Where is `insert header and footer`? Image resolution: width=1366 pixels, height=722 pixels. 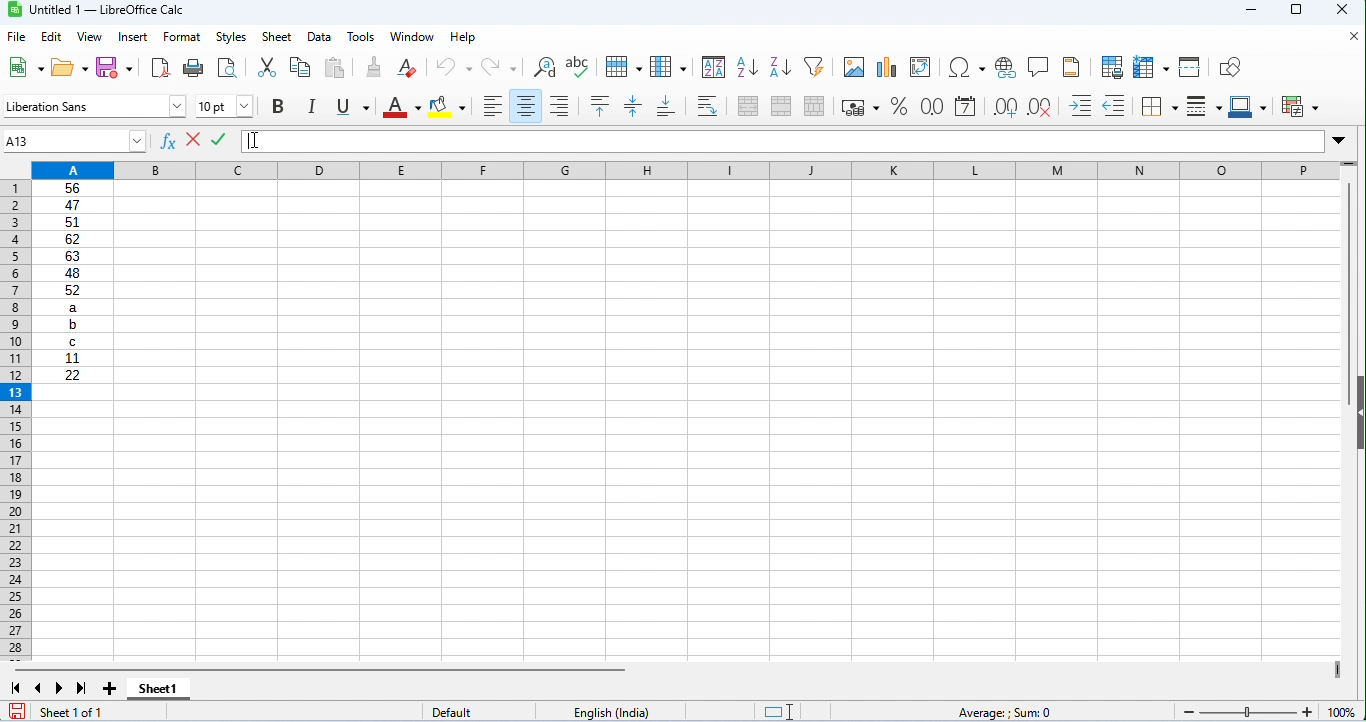 insert header and footer is located at coordinates (1072, 66).